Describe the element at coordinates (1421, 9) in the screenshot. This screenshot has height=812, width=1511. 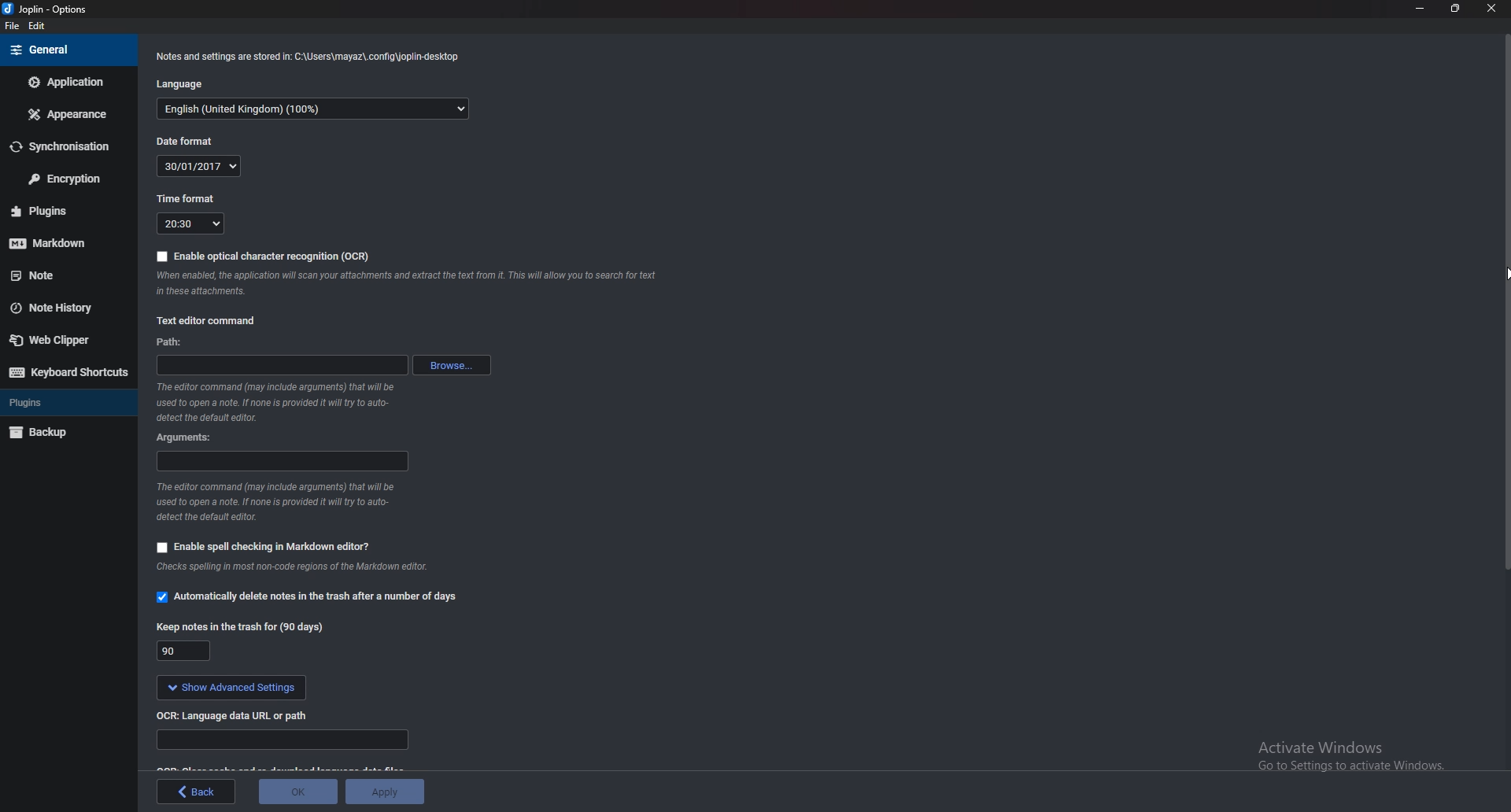
I see `Minimize` at that location.